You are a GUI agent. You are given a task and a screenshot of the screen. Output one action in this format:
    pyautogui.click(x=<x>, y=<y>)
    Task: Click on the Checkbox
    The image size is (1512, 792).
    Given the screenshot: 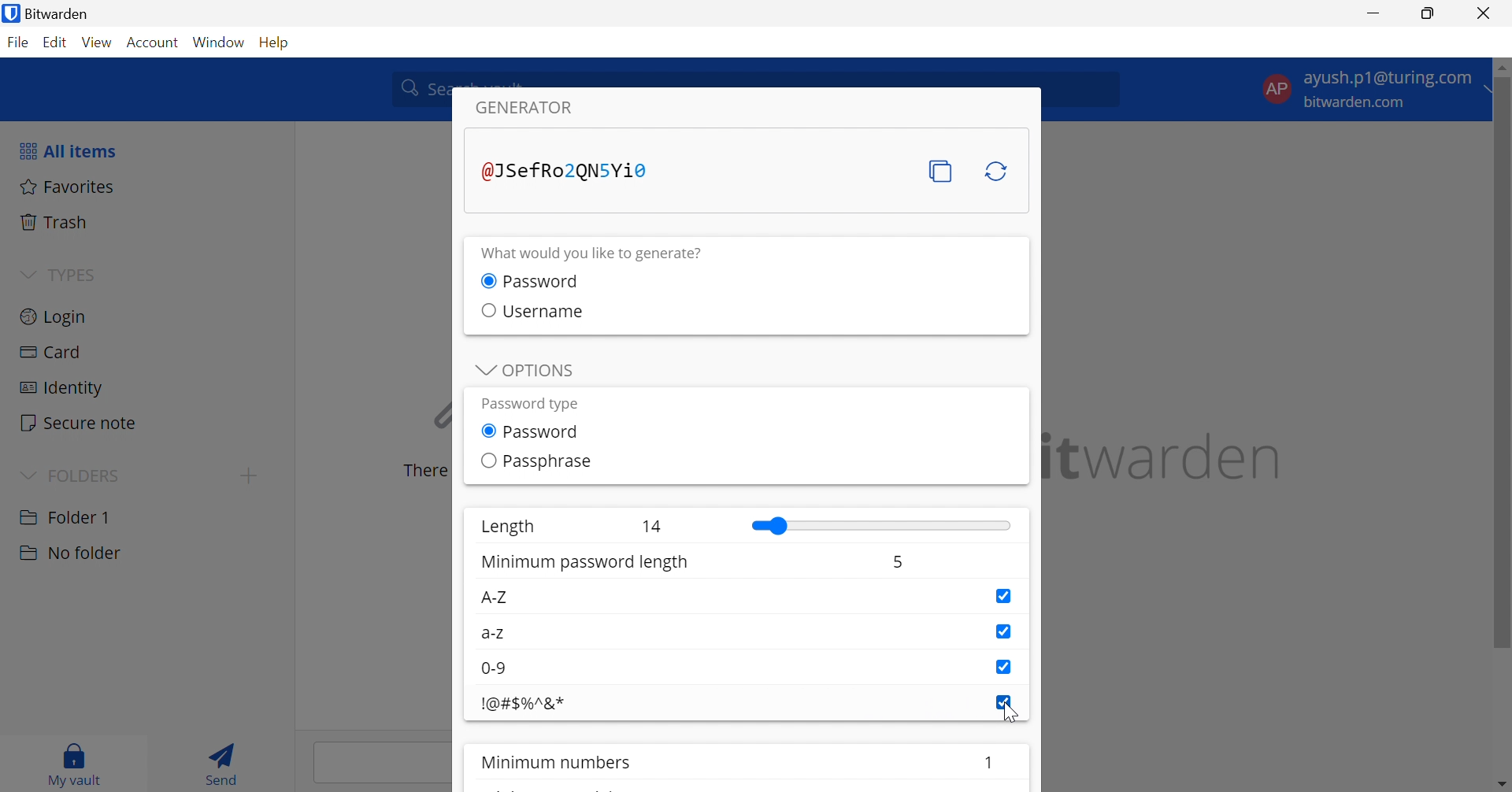 What is the action you would take?
    pyautogui.click(x=486, y=280)
    